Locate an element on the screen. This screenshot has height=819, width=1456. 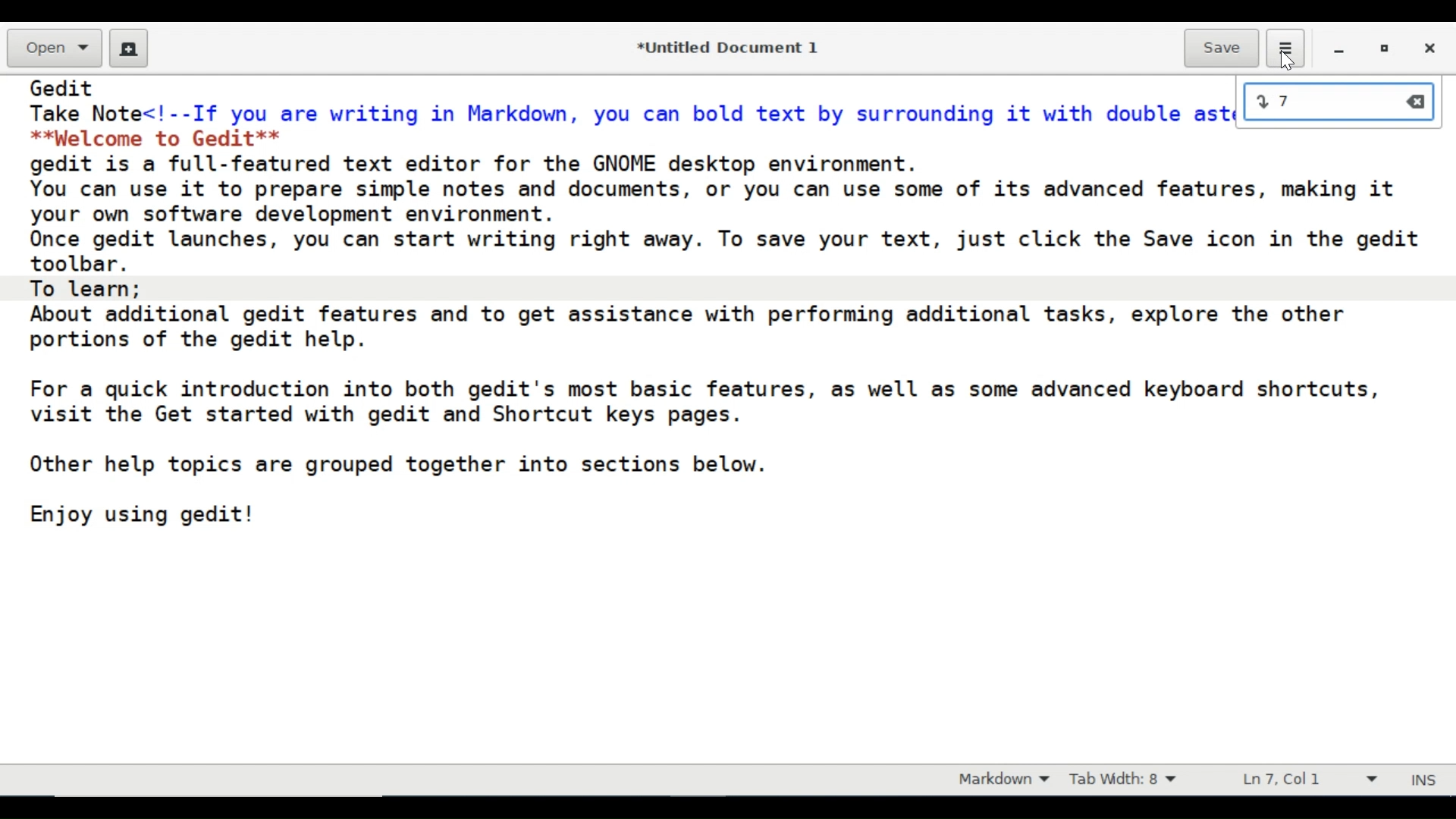
Close is located at coordinates (1428, 49).